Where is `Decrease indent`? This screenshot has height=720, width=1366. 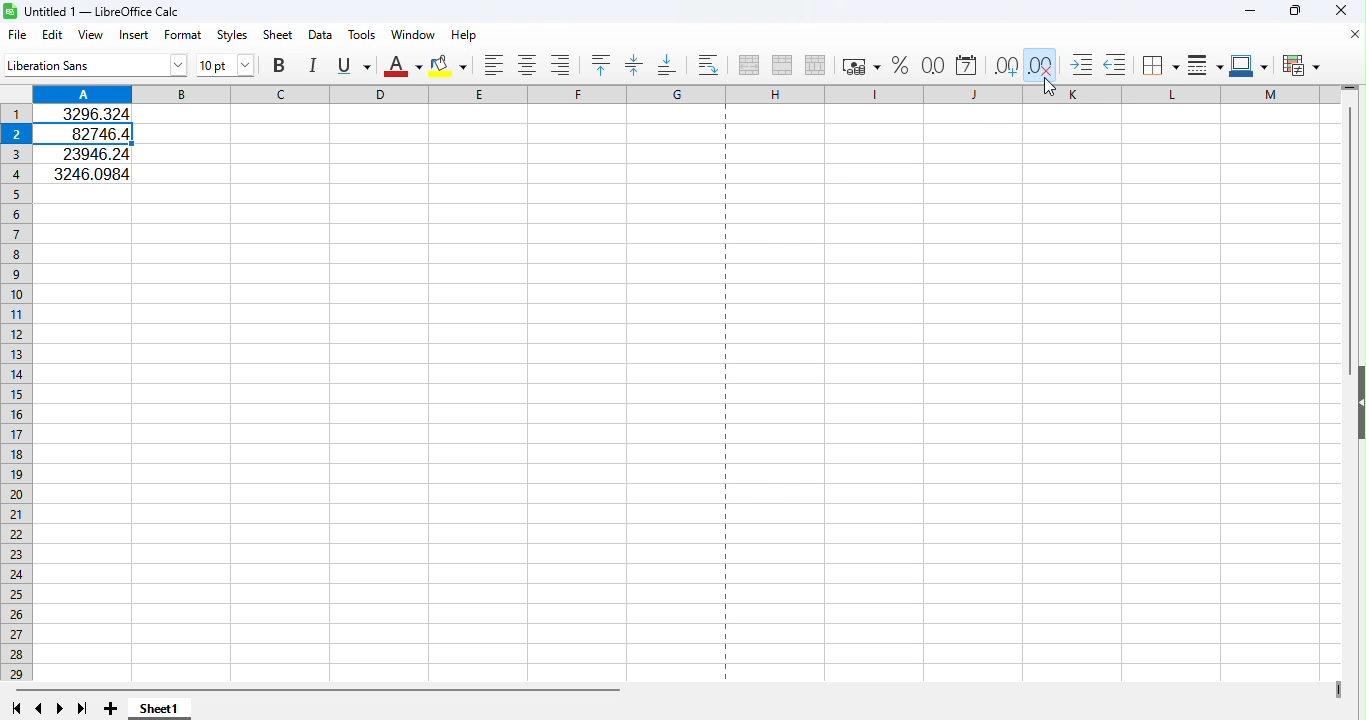
Decrease indent is located at coordinates (1114, 64).